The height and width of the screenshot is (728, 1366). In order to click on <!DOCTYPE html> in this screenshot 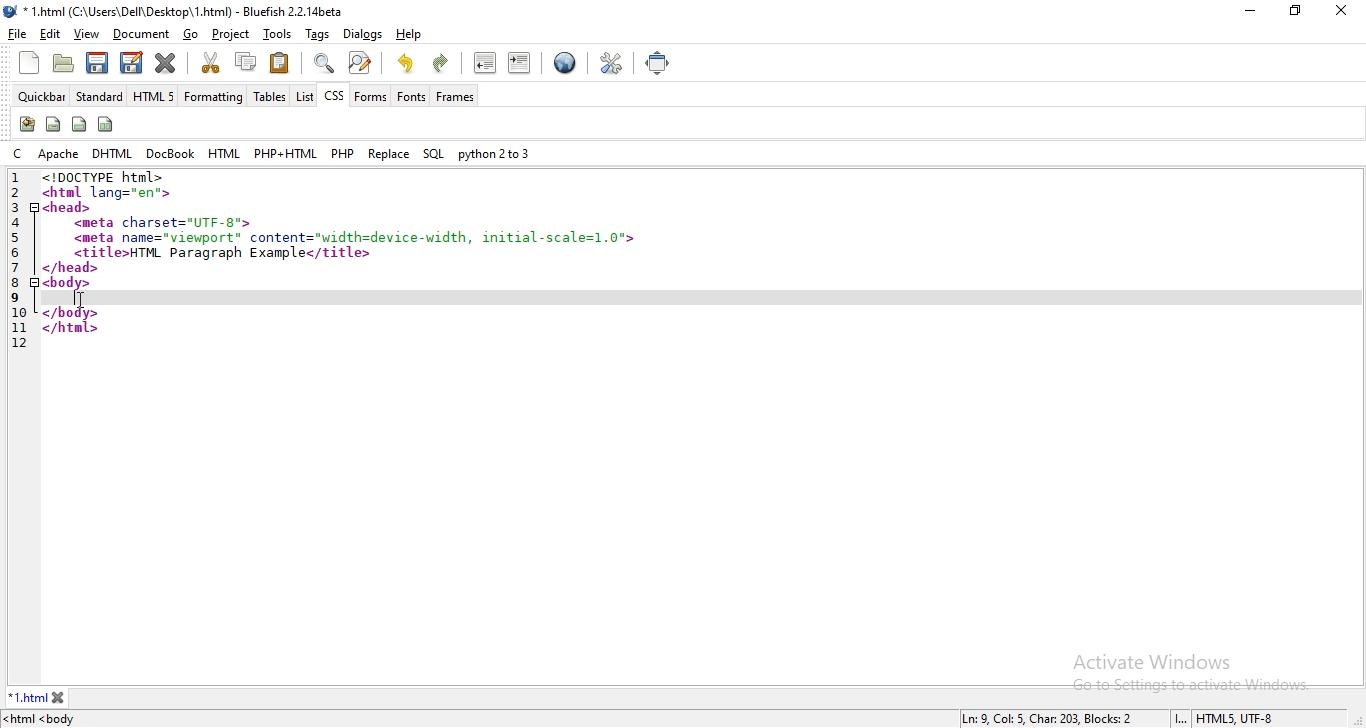, I will do `click(110, 177)`.